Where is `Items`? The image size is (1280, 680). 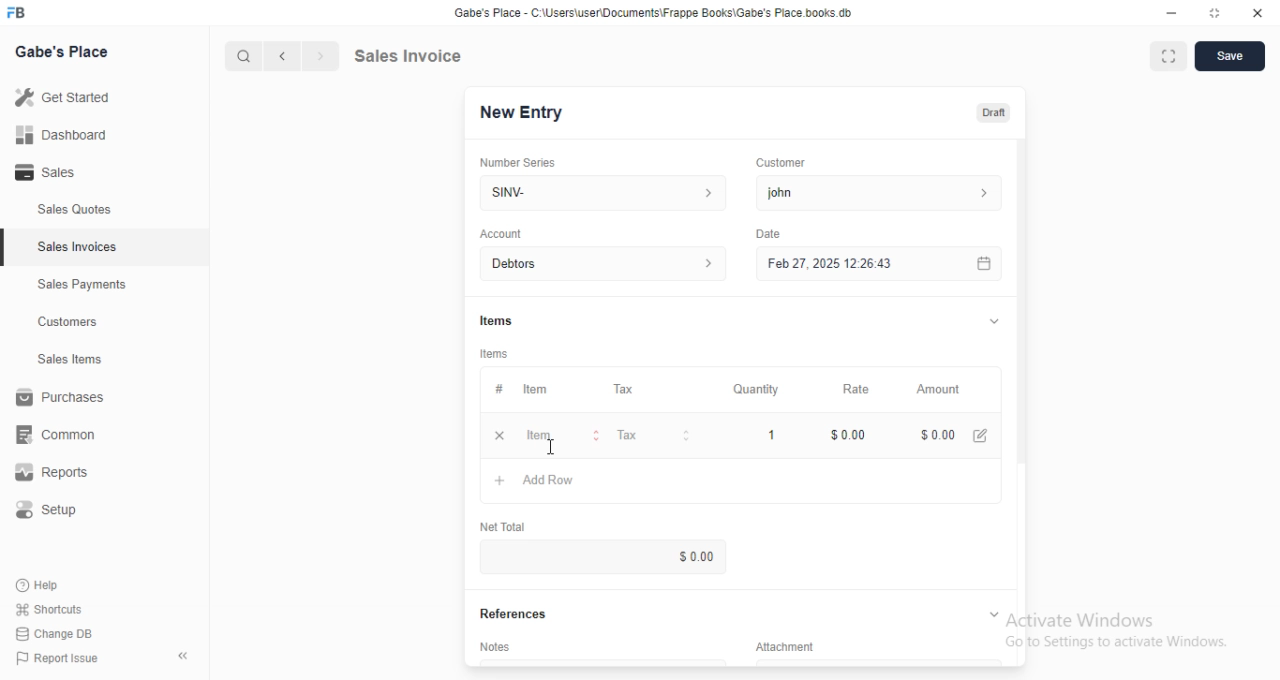 Items is located at coordinates (496, 352).